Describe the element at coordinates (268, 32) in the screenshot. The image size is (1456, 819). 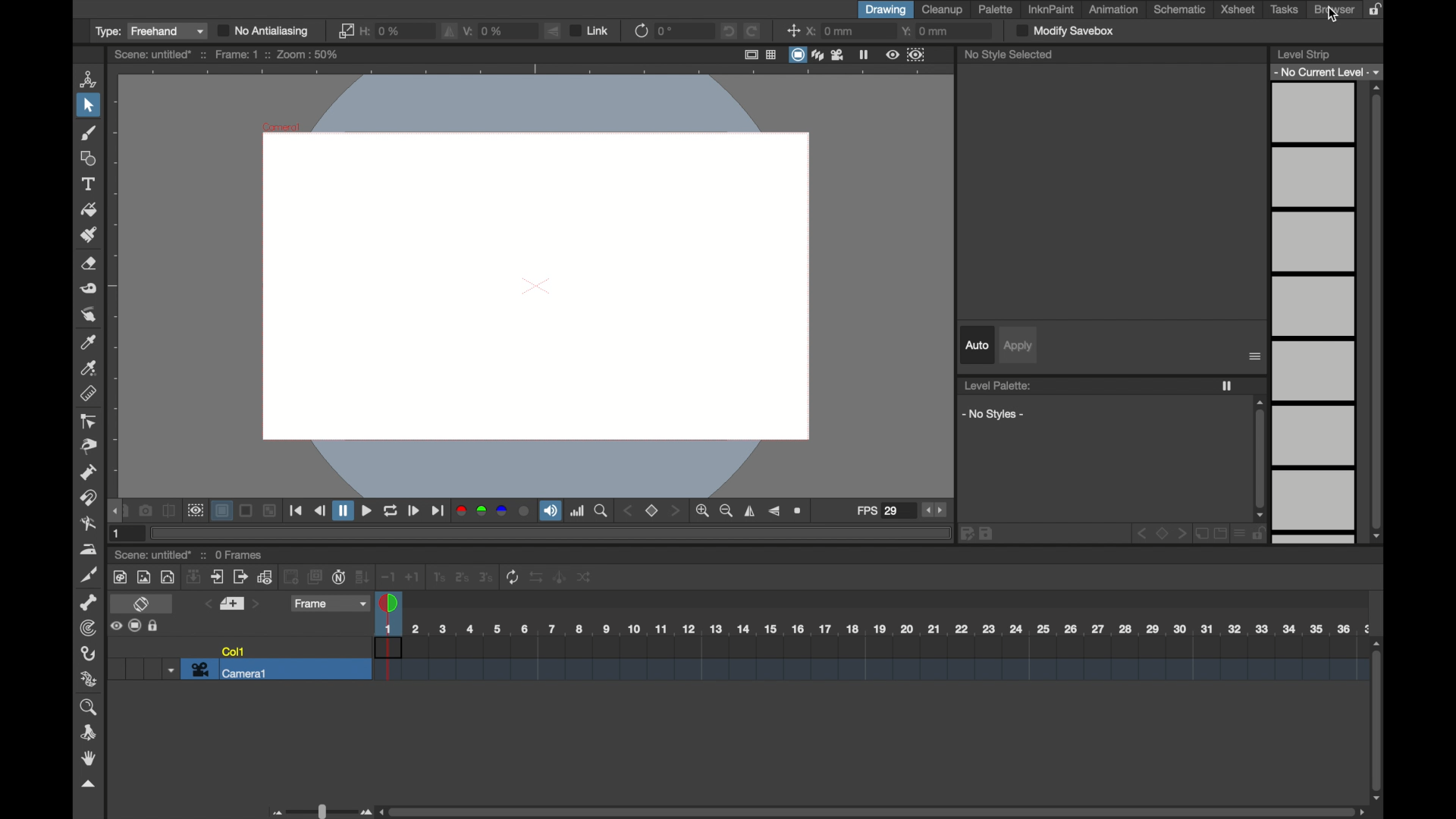
I see `no anitaliasing` at that location.